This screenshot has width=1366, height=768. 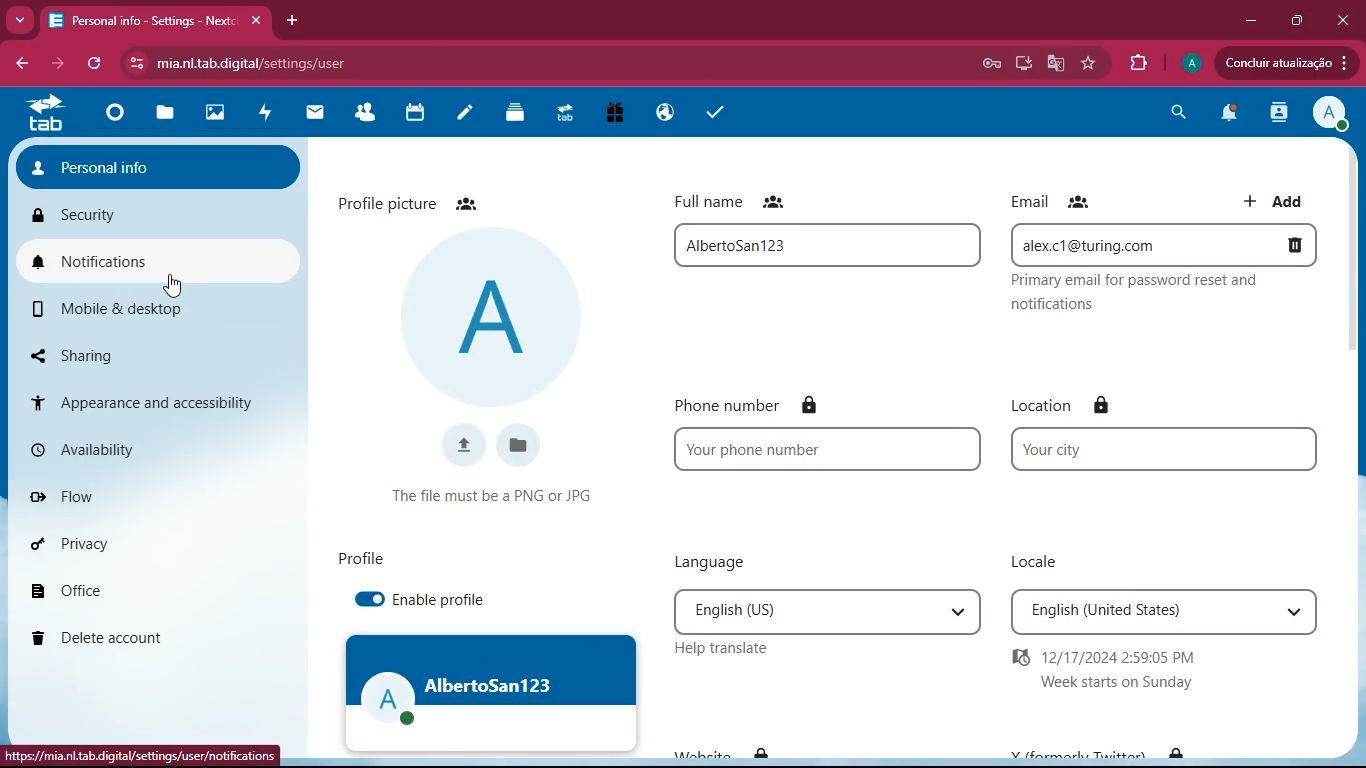 What do you see at coordinates (359, 115) in the screenshot?
I see `friends` at bounding box center [359, 115].